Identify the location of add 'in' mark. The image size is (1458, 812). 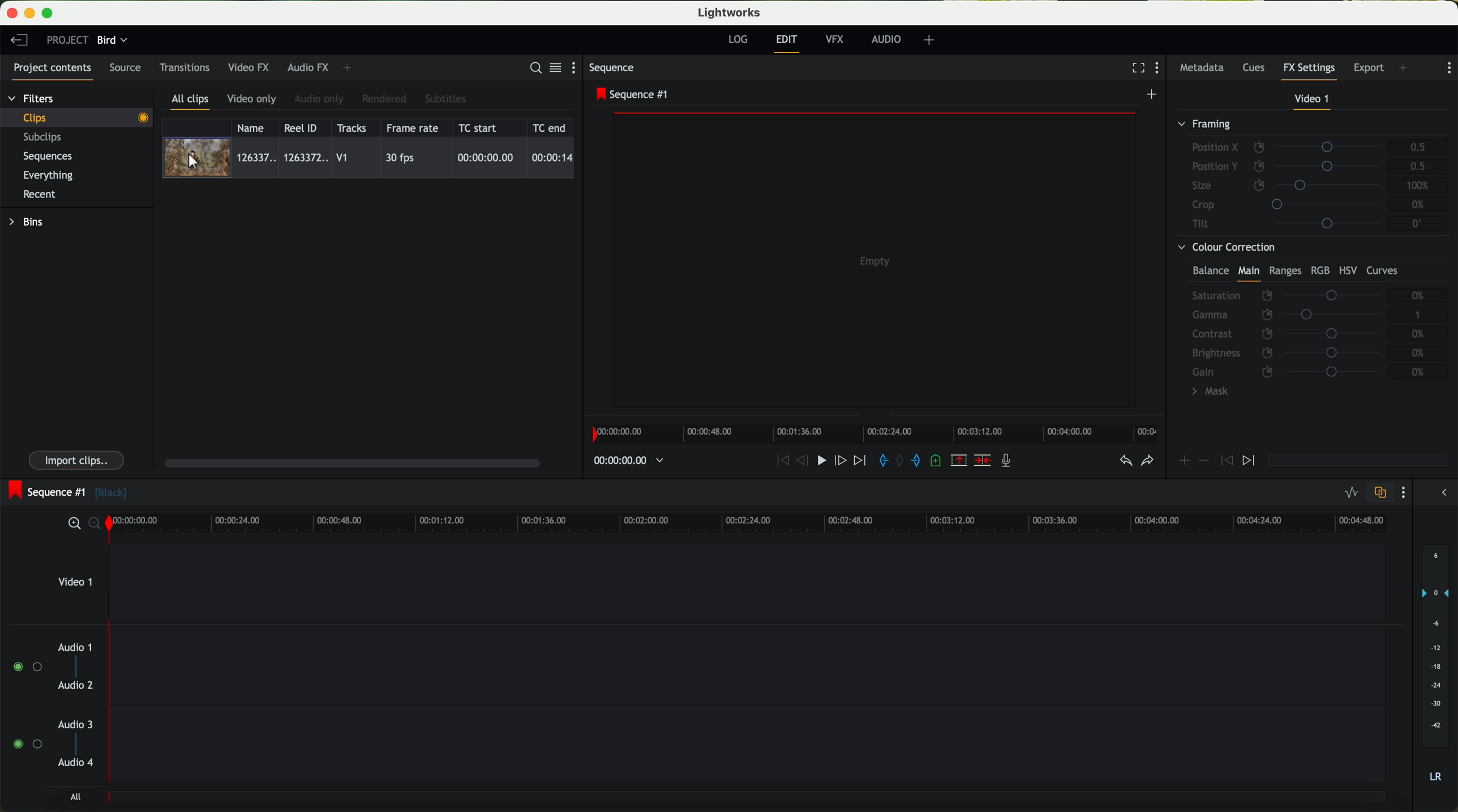
(880, 462).